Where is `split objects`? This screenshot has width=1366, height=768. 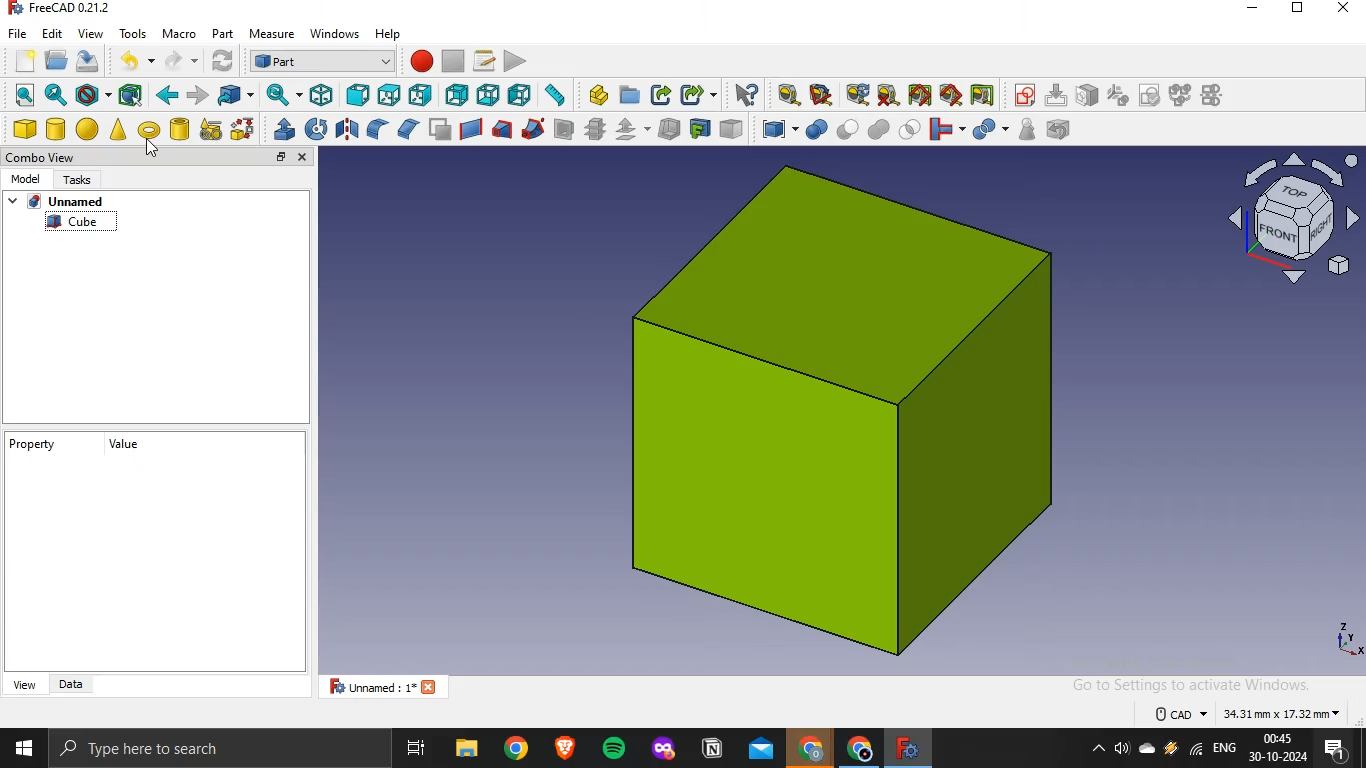 split objects is located at coordinates (989, 128).